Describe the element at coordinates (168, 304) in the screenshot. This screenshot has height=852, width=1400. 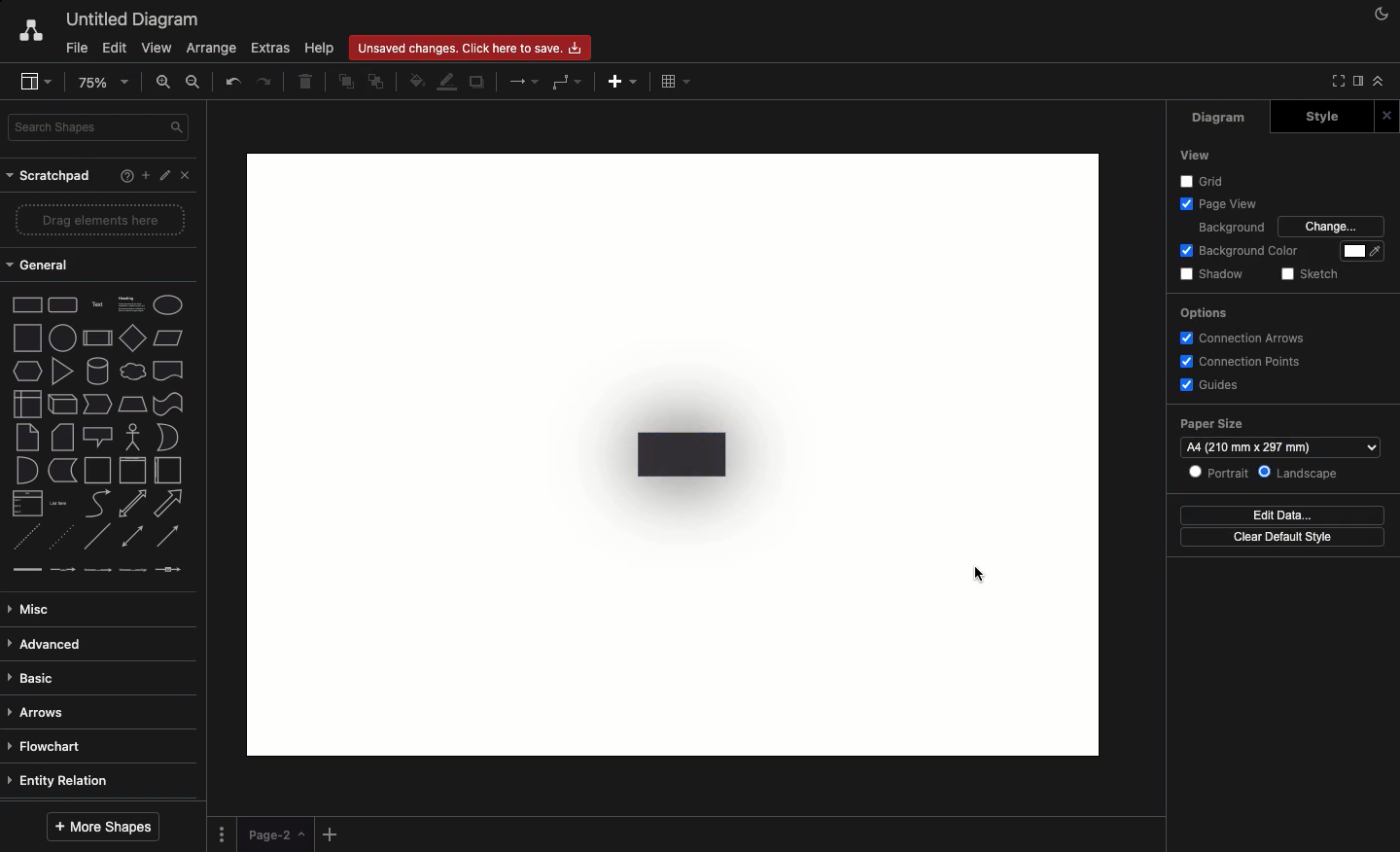
I see `Eclipse` at that location.